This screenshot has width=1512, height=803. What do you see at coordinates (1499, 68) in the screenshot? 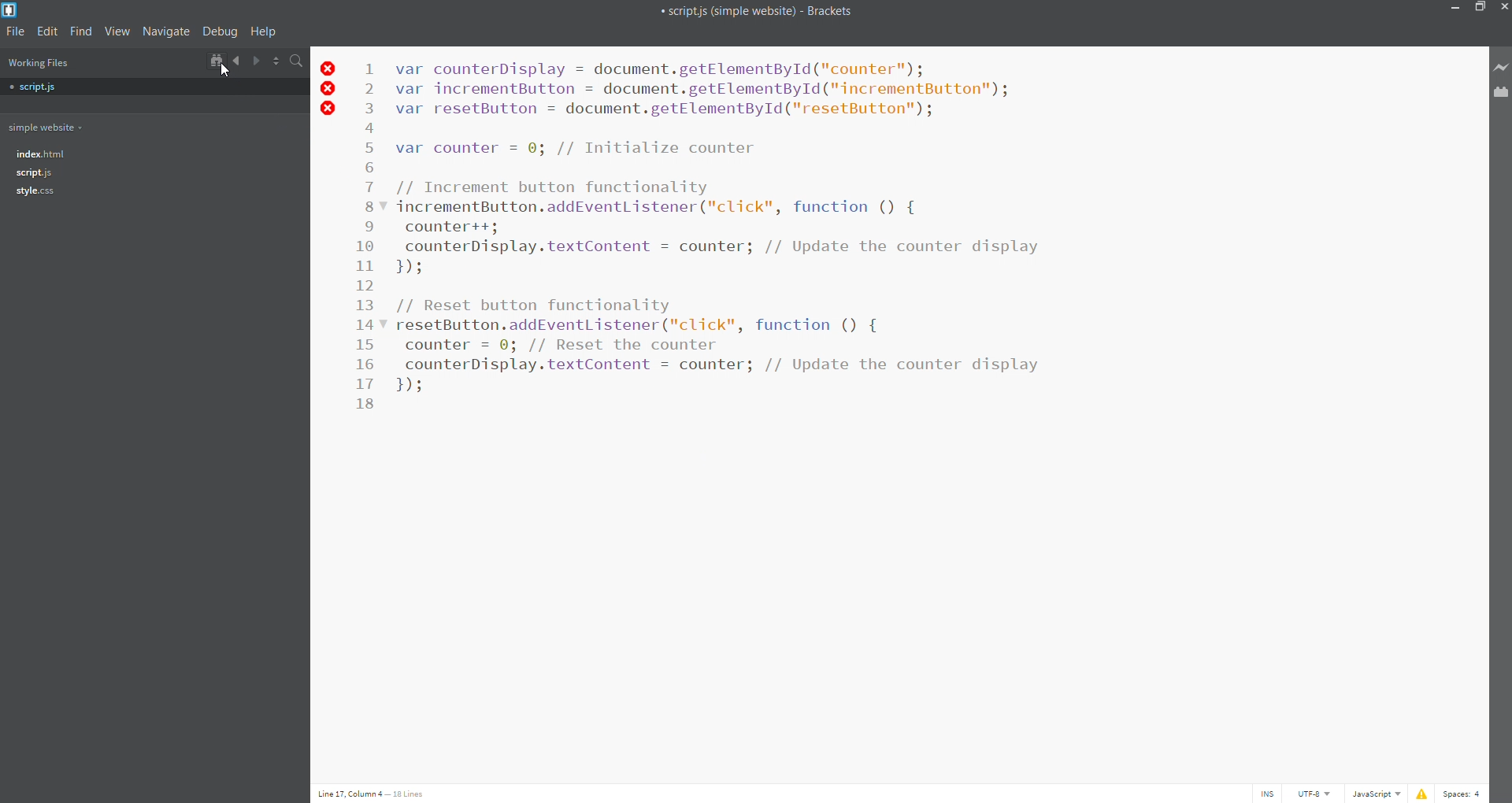
I see `live preview` at bounding box center [1499, 68].